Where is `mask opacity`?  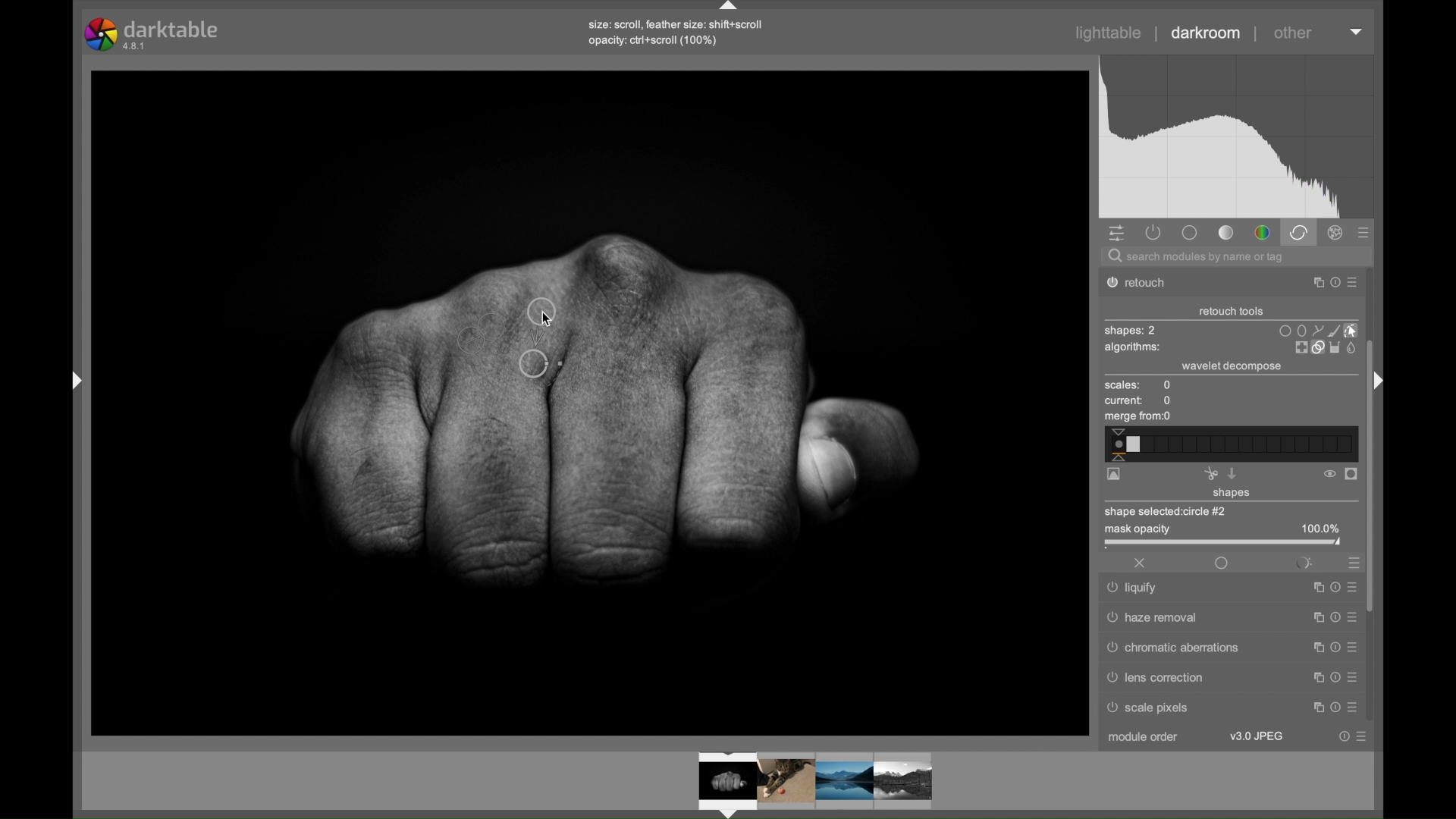
mask opacity is located at coordinates (1135, 531).